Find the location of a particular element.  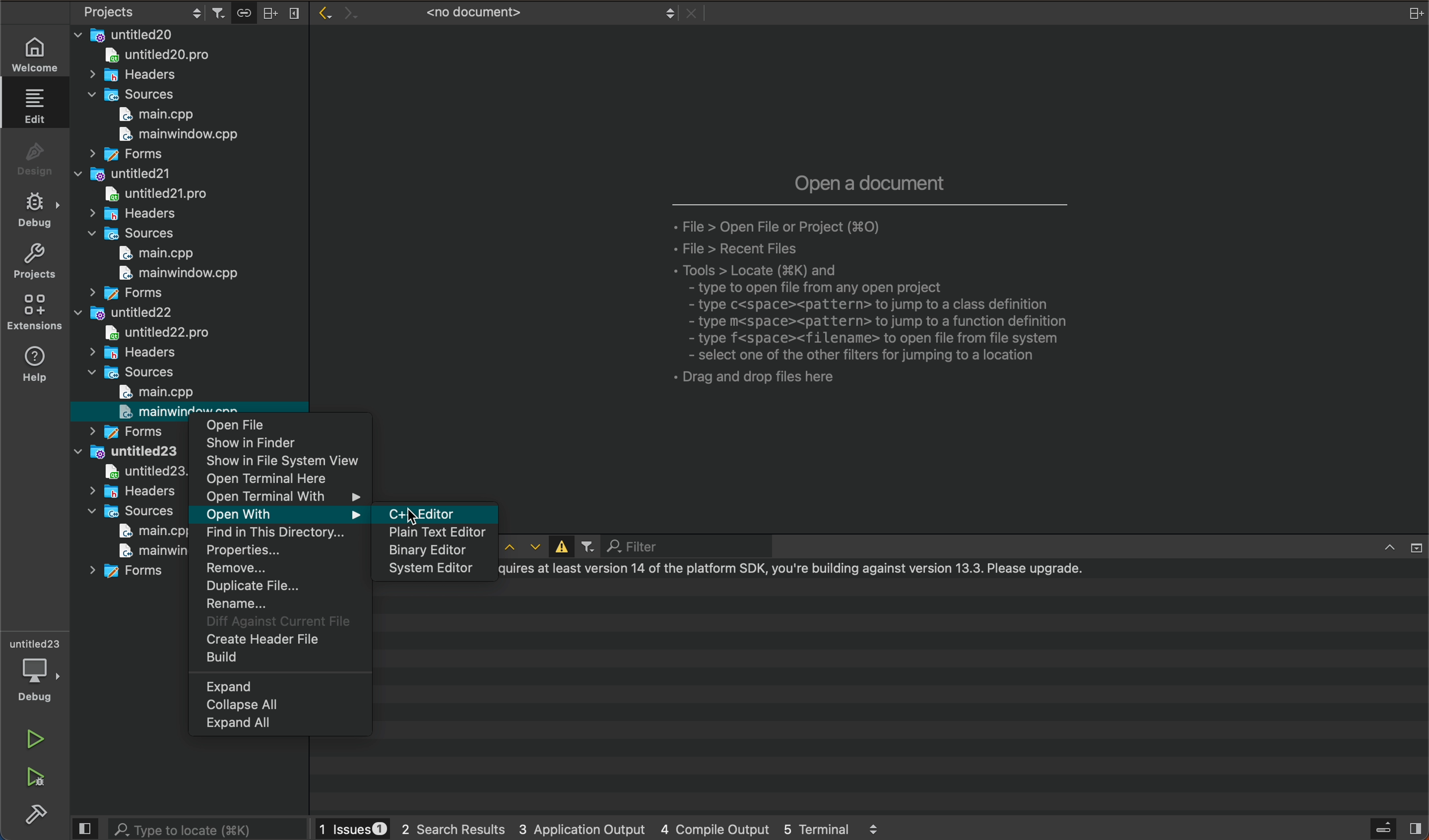

file tab is located at coordinates (528, 13).